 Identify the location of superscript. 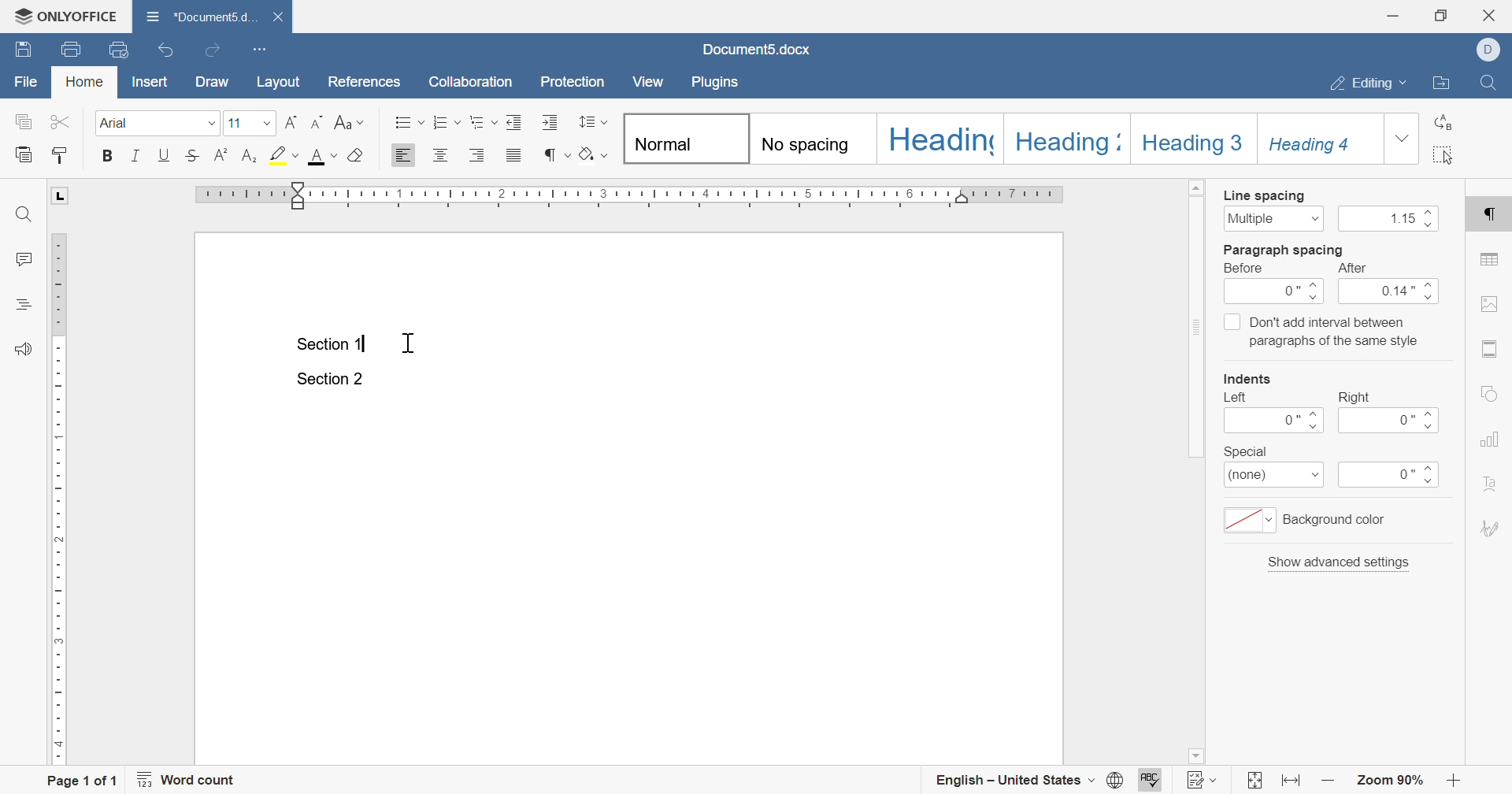
(221, 155).